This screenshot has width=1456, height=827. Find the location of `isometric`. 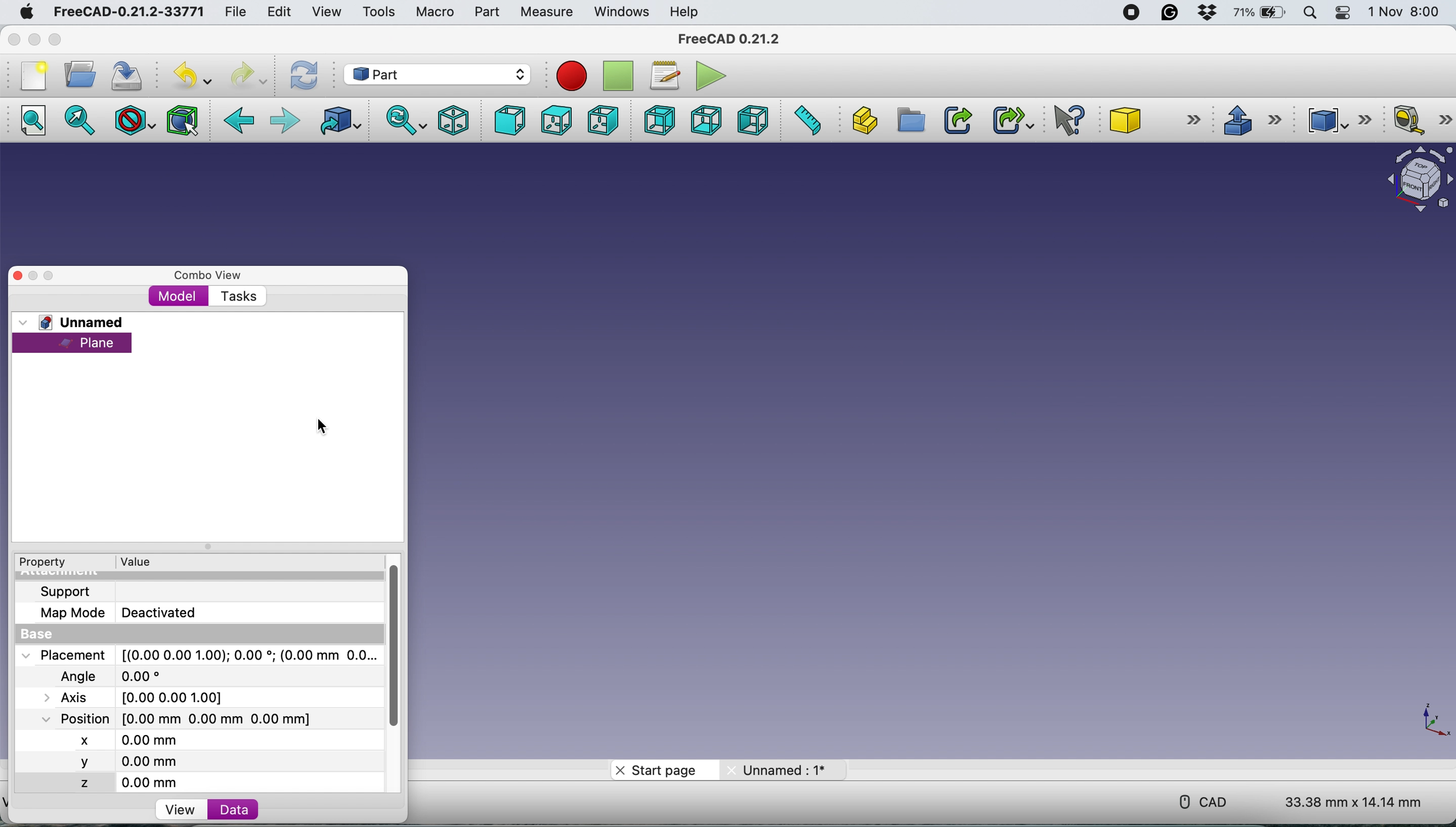

isometric is located at coordinates (452, 122).